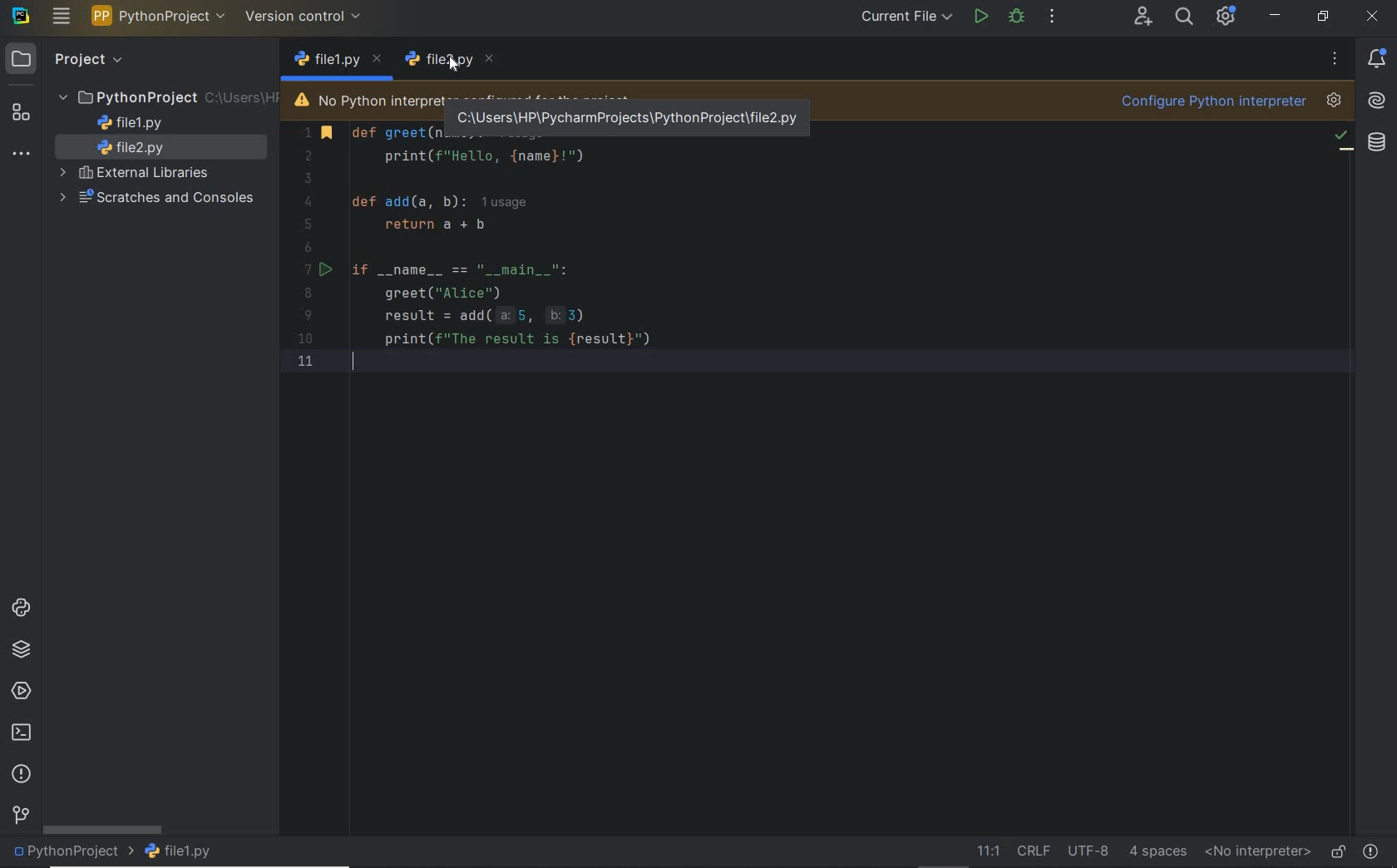  Describe the element at coordinates (1321, 16) in the screenshot. I see `restore down` at that location.